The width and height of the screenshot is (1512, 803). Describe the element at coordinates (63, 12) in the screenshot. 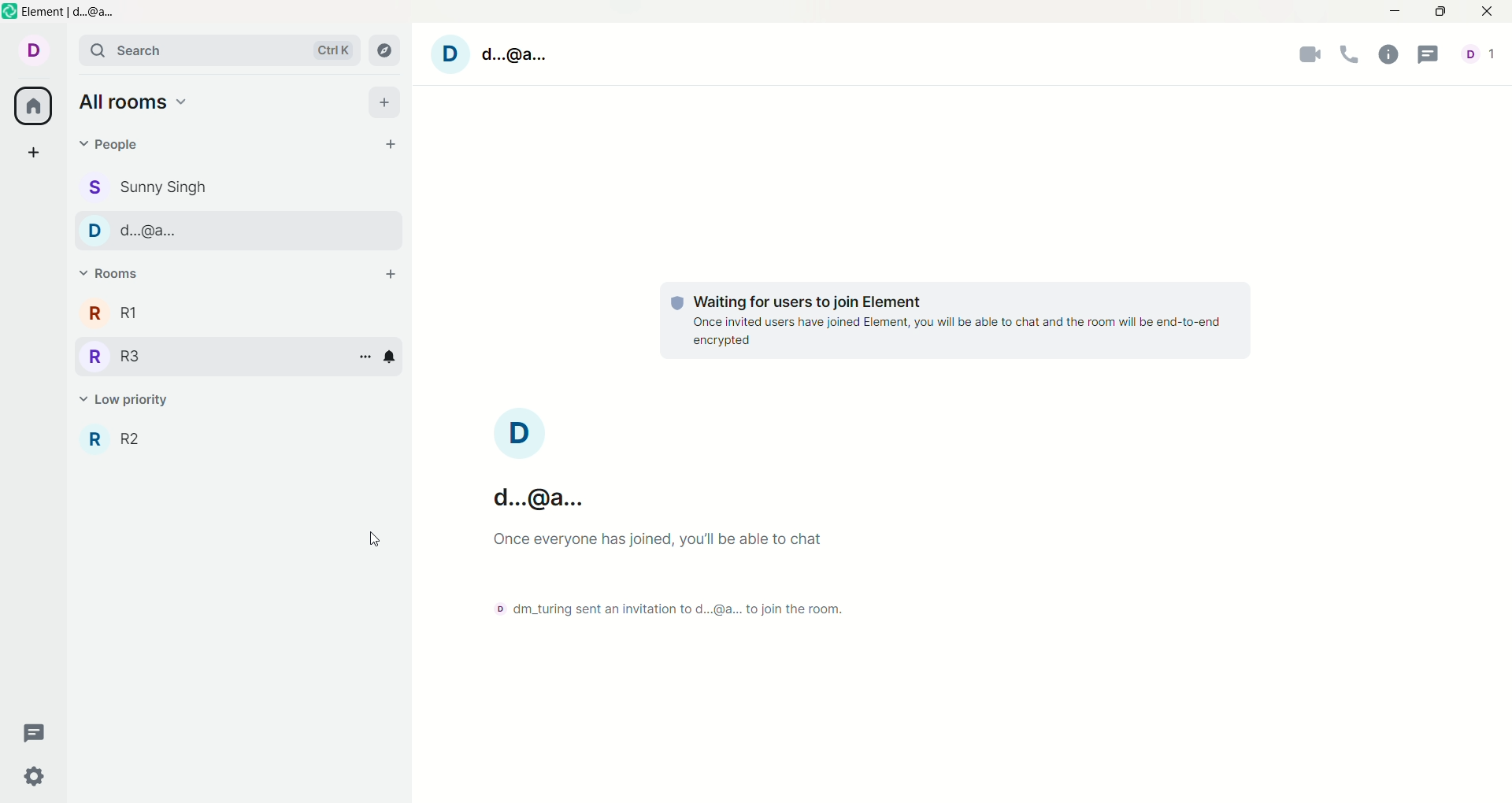

I see `element` at that location.